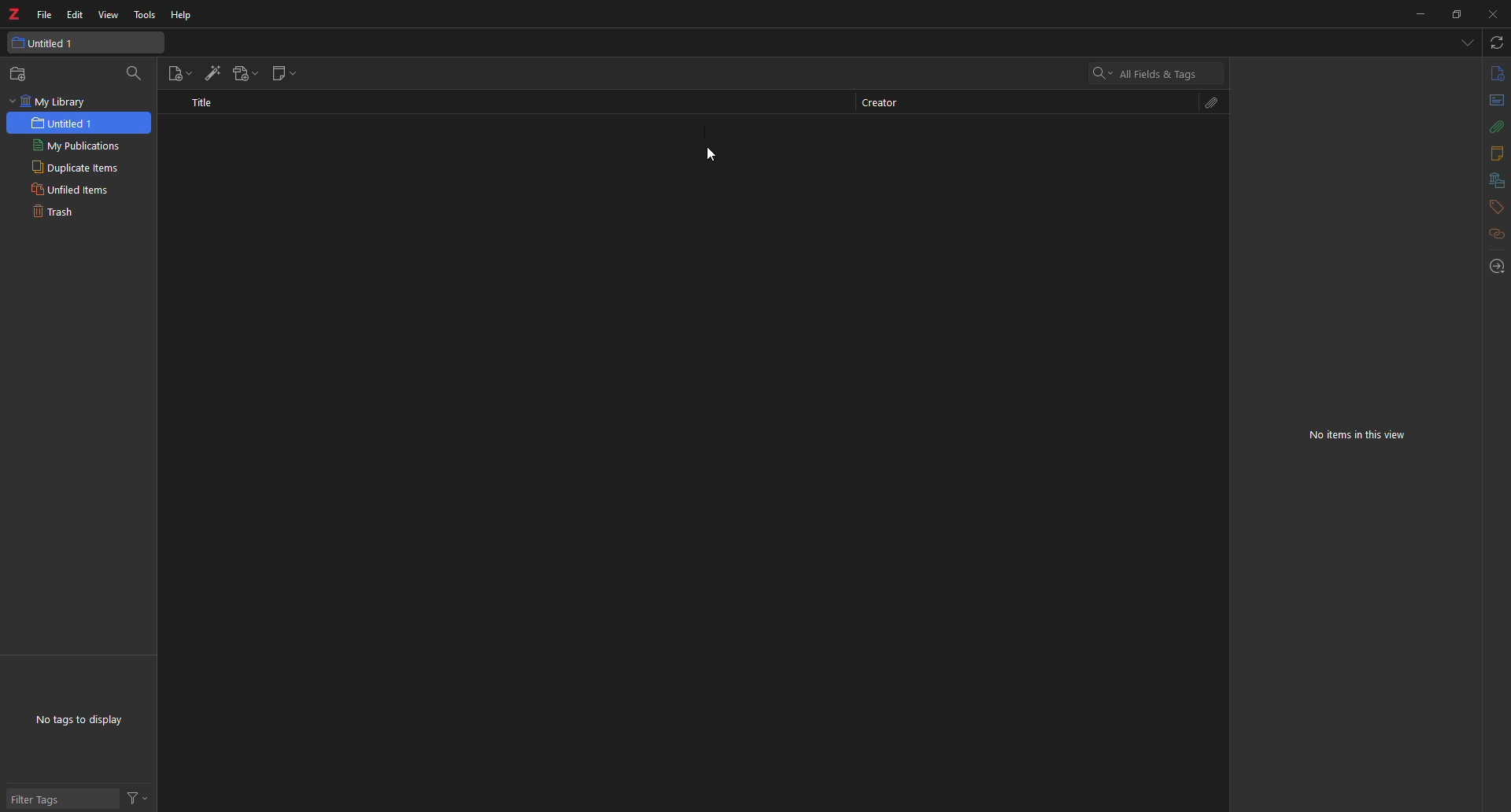  Describe the element at coordinates (1495, 234) in the screenshot. I see `related` at that location.